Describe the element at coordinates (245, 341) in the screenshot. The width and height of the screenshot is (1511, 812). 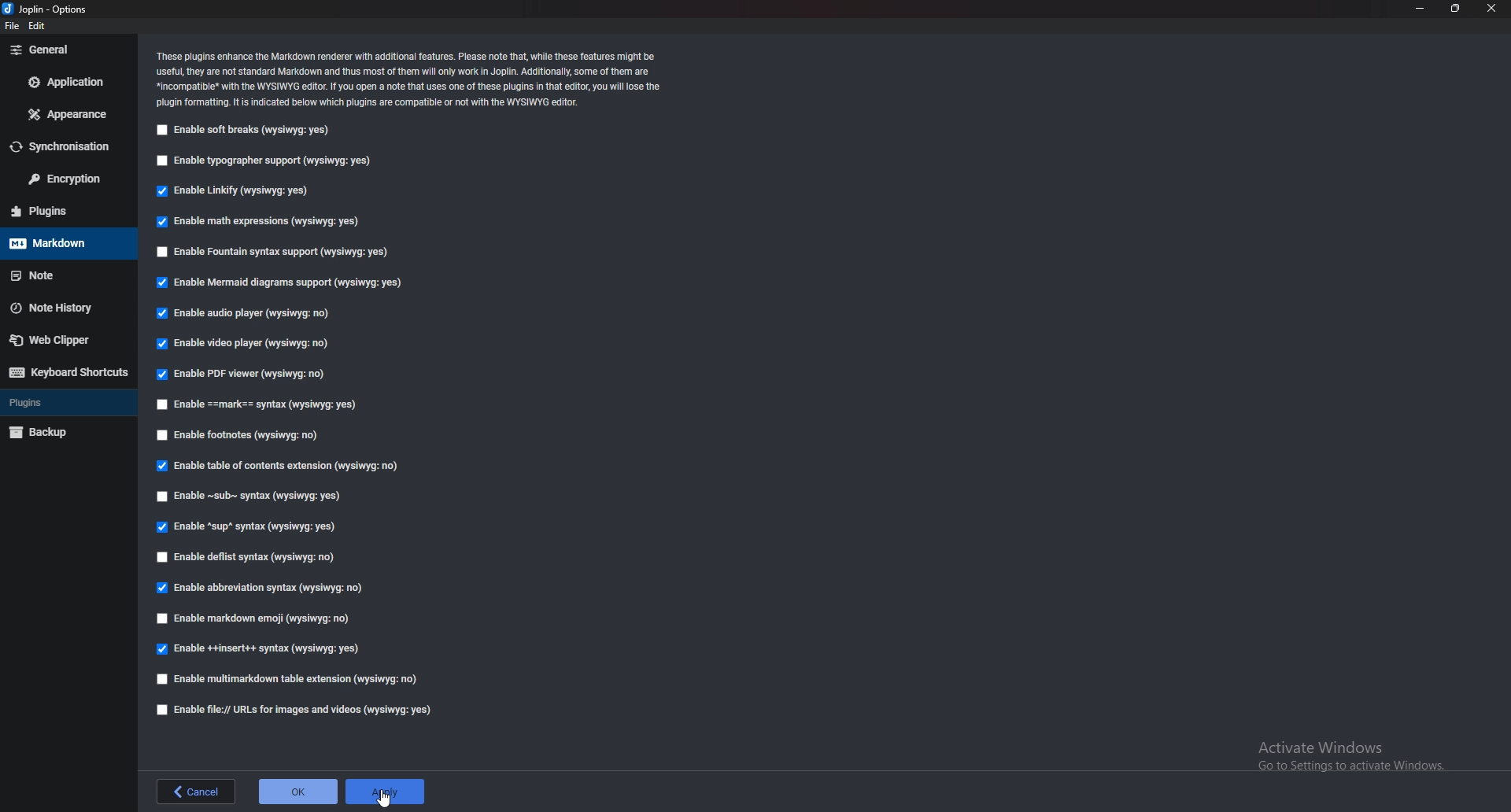
I see `enable video player` at that location.